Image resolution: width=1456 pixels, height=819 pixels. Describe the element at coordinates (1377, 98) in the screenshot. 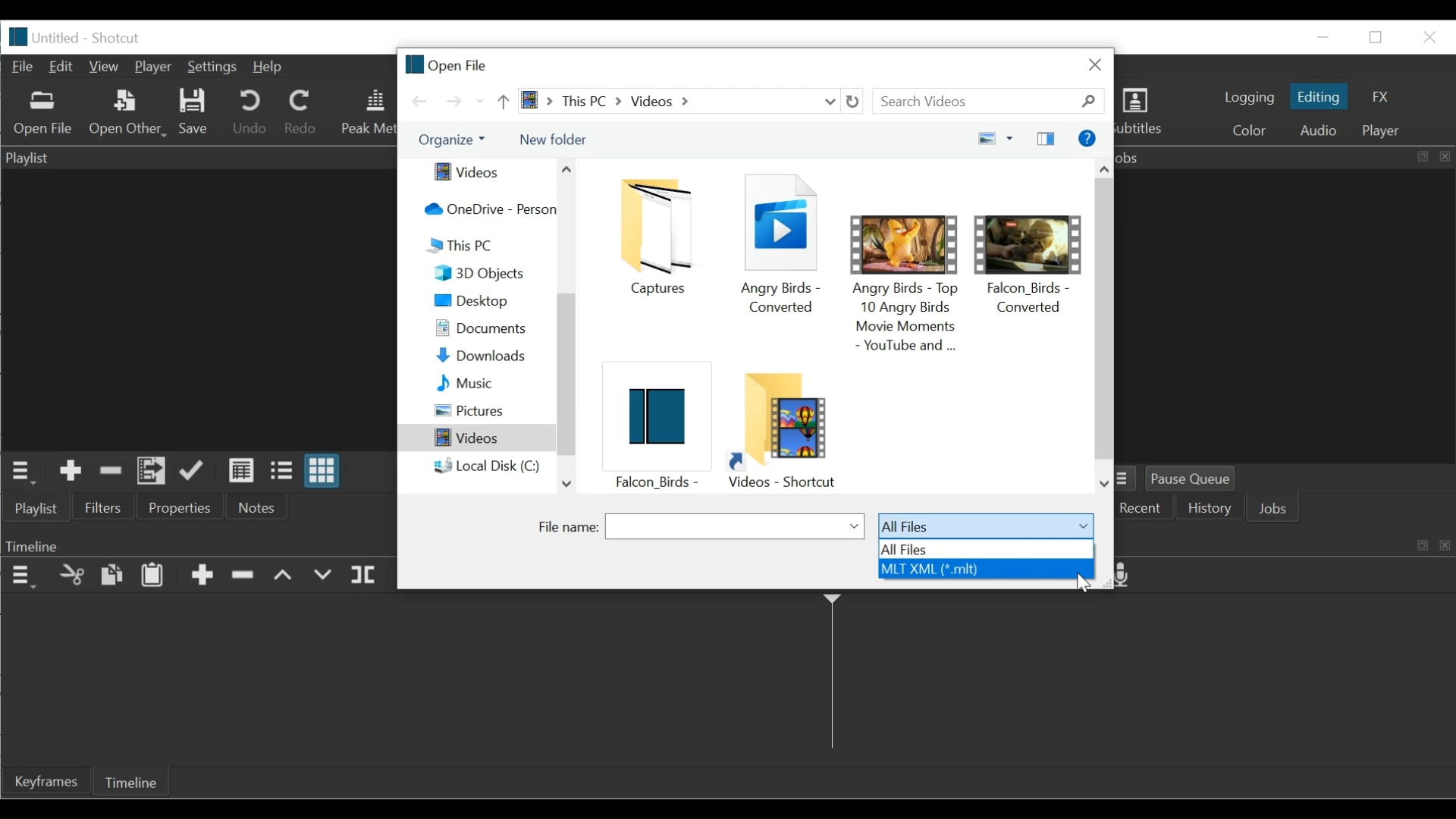

I see `FX` at that location.